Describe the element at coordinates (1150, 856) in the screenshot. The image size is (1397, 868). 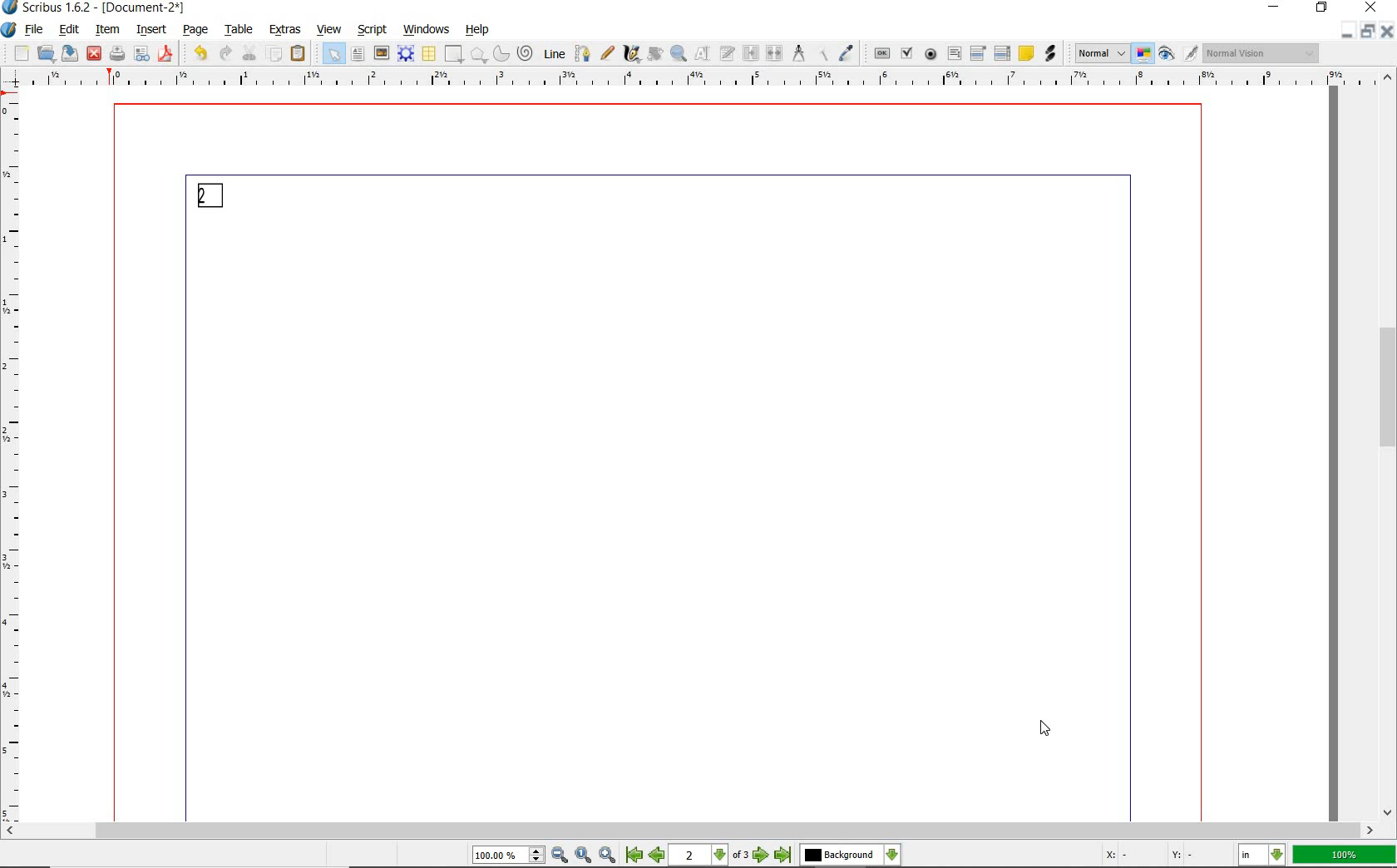
I see `Curspr Coordinates` at that location.